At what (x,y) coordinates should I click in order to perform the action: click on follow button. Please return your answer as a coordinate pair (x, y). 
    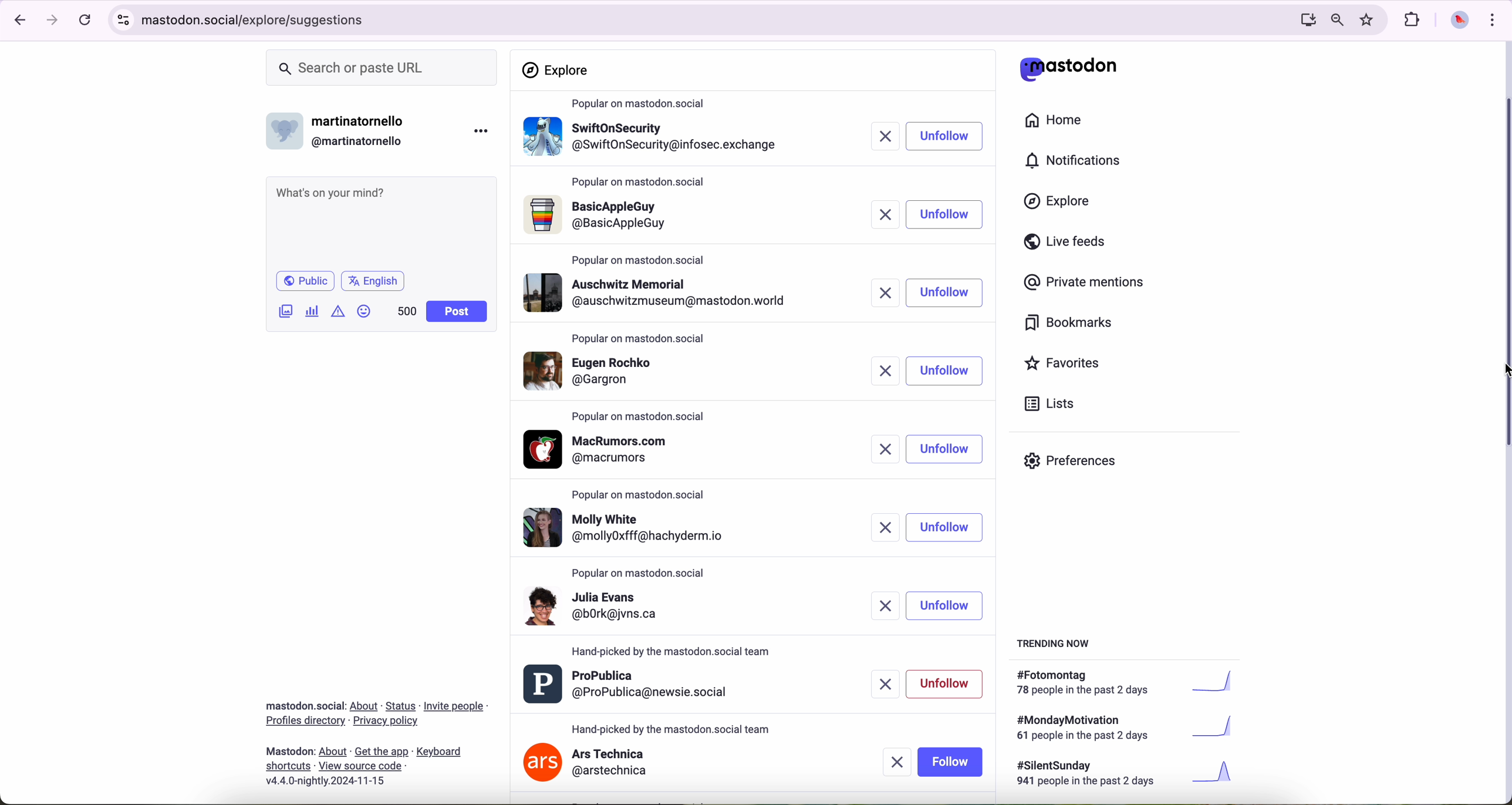
    Looking at the image, I should click on (950, 762).